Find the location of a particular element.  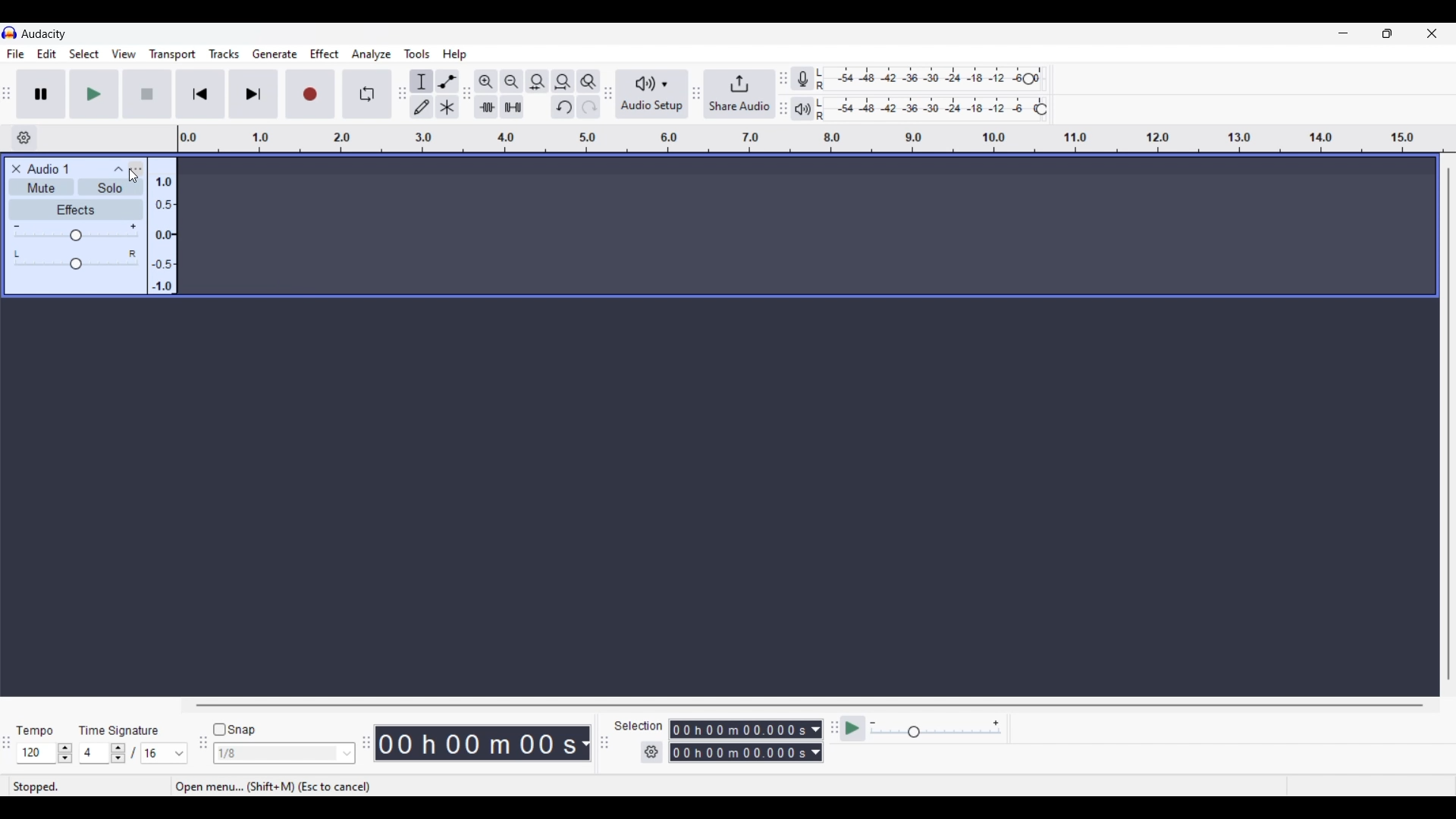

Decrease playback speed to minimum is located at coordinates (873, 723).